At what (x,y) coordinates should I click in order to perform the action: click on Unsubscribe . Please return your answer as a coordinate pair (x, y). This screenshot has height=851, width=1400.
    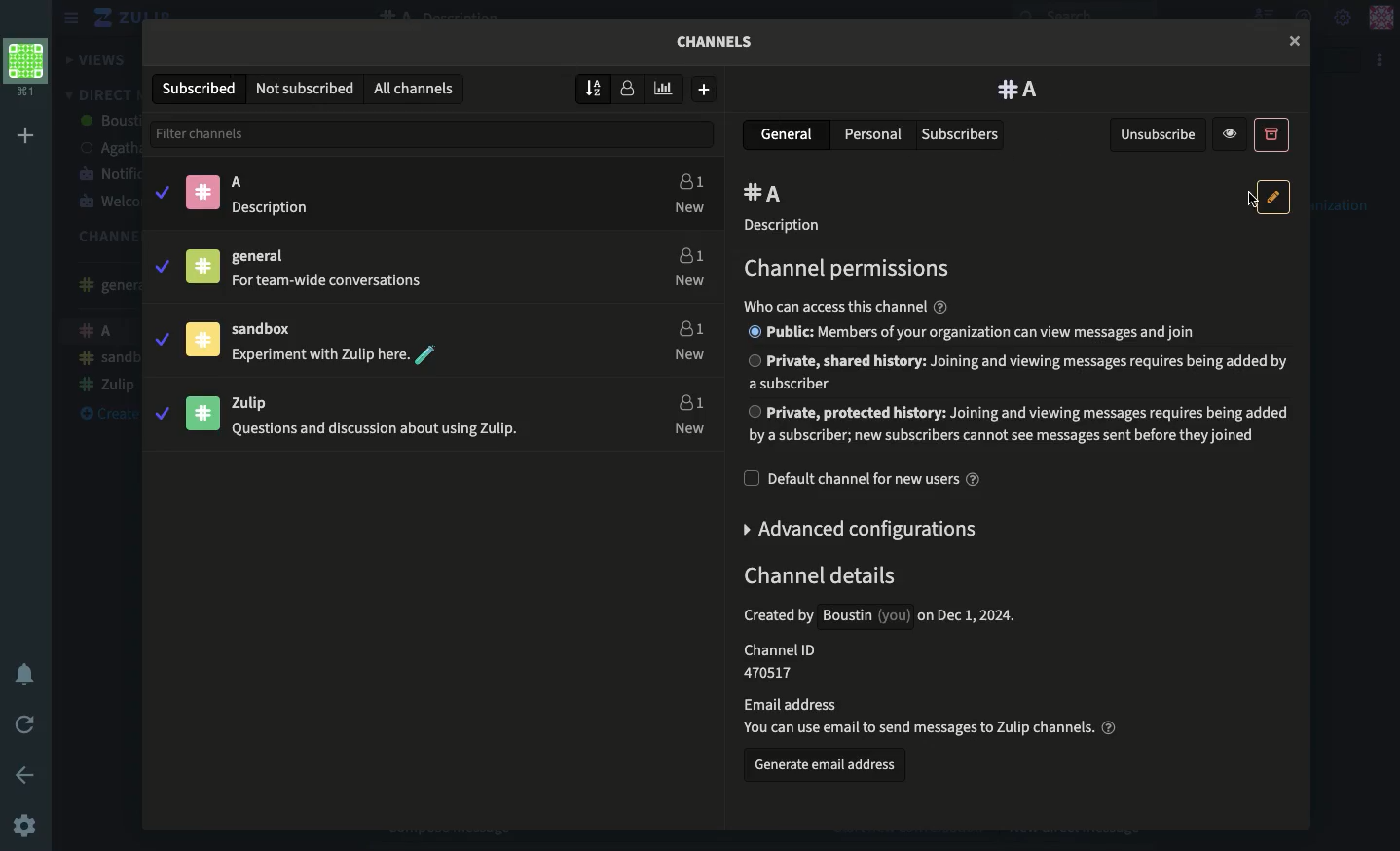
    Looking at the image, I should click on (1160, 135).